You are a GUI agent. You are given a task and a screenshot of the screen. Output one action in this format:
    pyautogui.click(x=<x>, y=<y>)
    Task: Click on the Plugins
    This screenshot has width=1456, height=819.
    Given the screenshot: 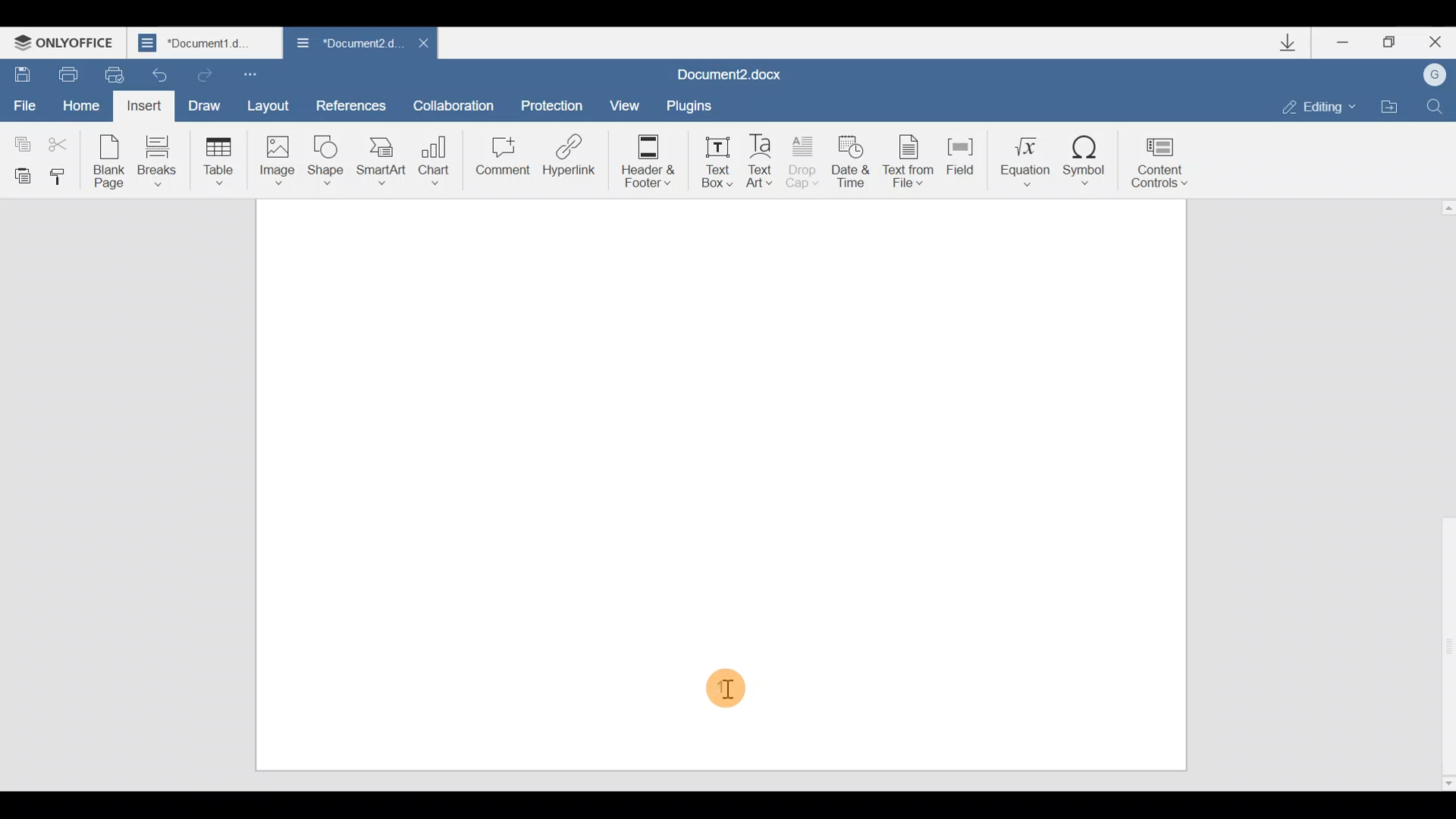 What is the action you would take?
    pyautogui.click(x=701, y=103)
    